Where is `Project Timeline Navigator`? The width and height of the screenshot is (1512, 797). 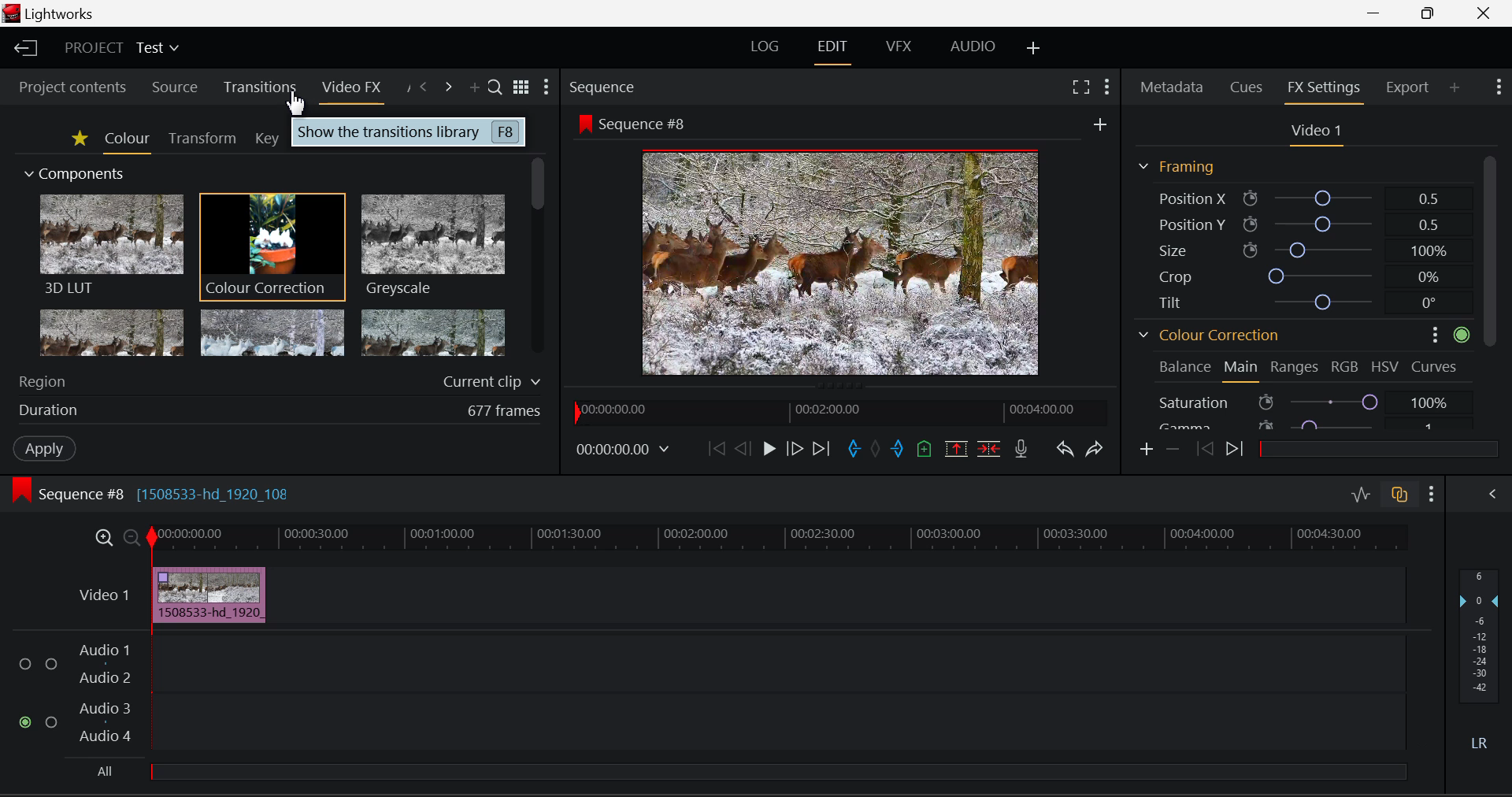
Project Timeline Navigator is located at coordinates (841, 410).